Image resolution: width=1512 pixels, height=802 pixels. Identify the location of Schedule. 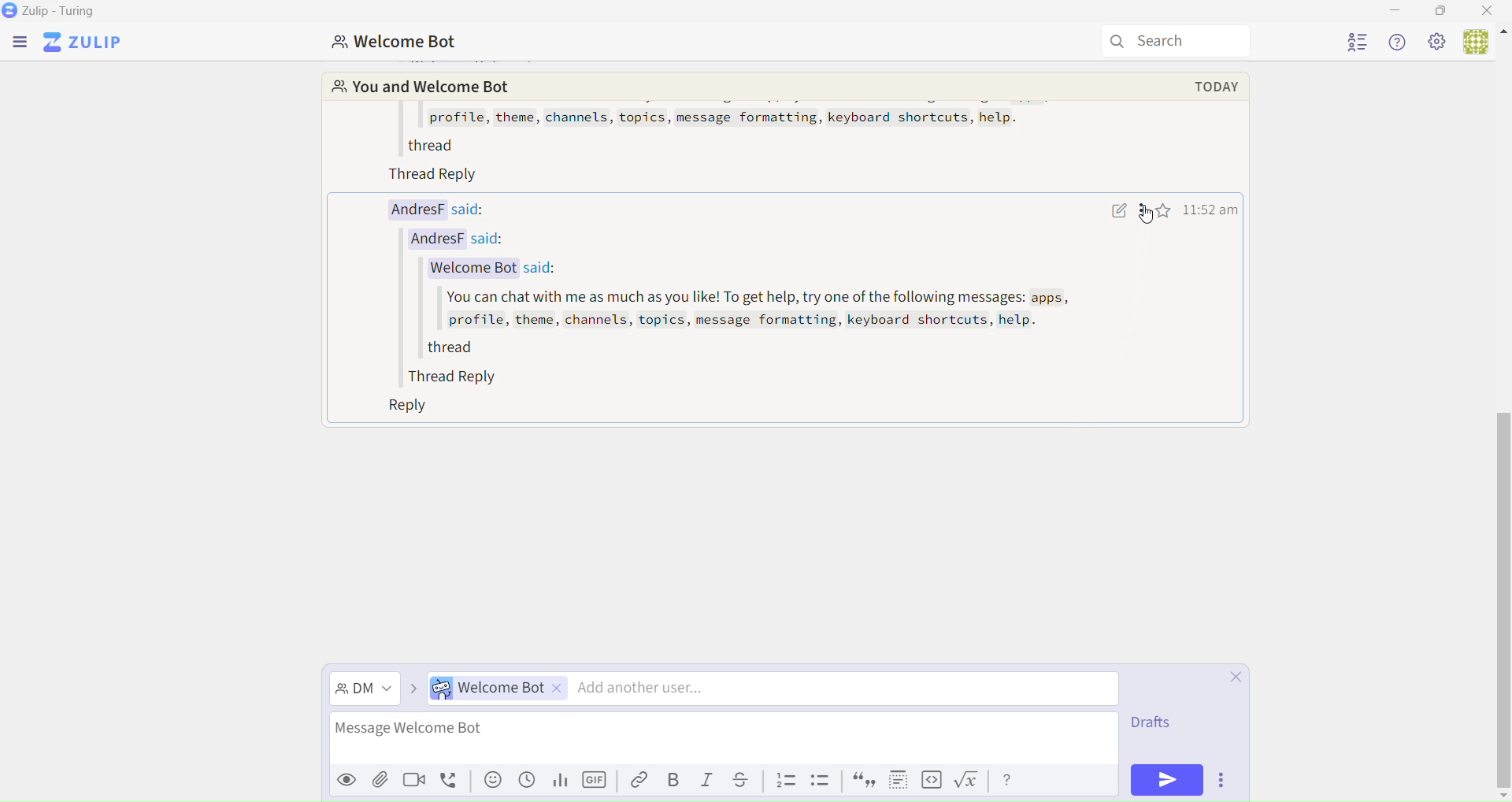
(526, 782).